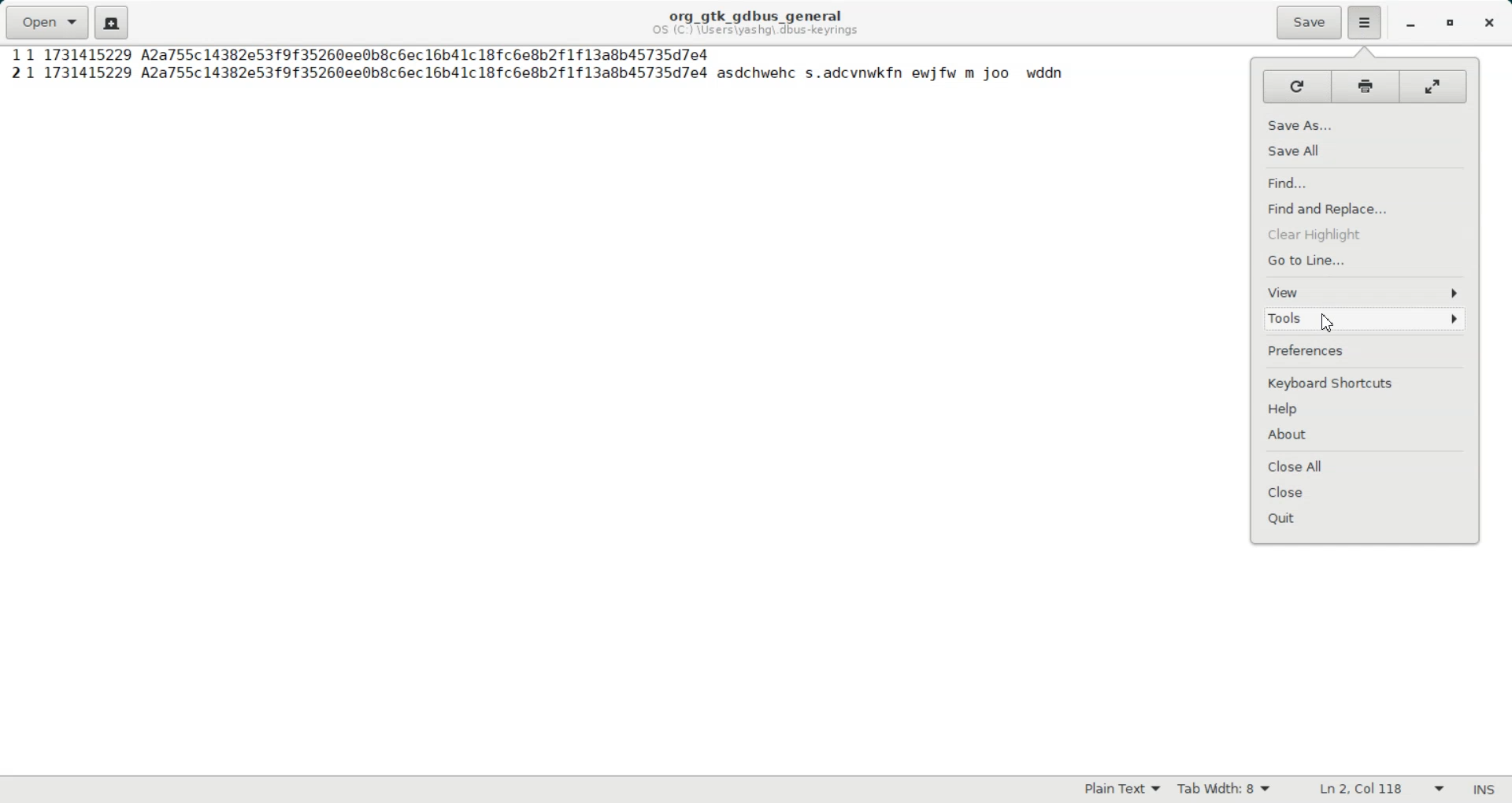 Image resolution: width=1512 pixels, height=803 pixels. I want to click on Preferences, so click(1365, 350).